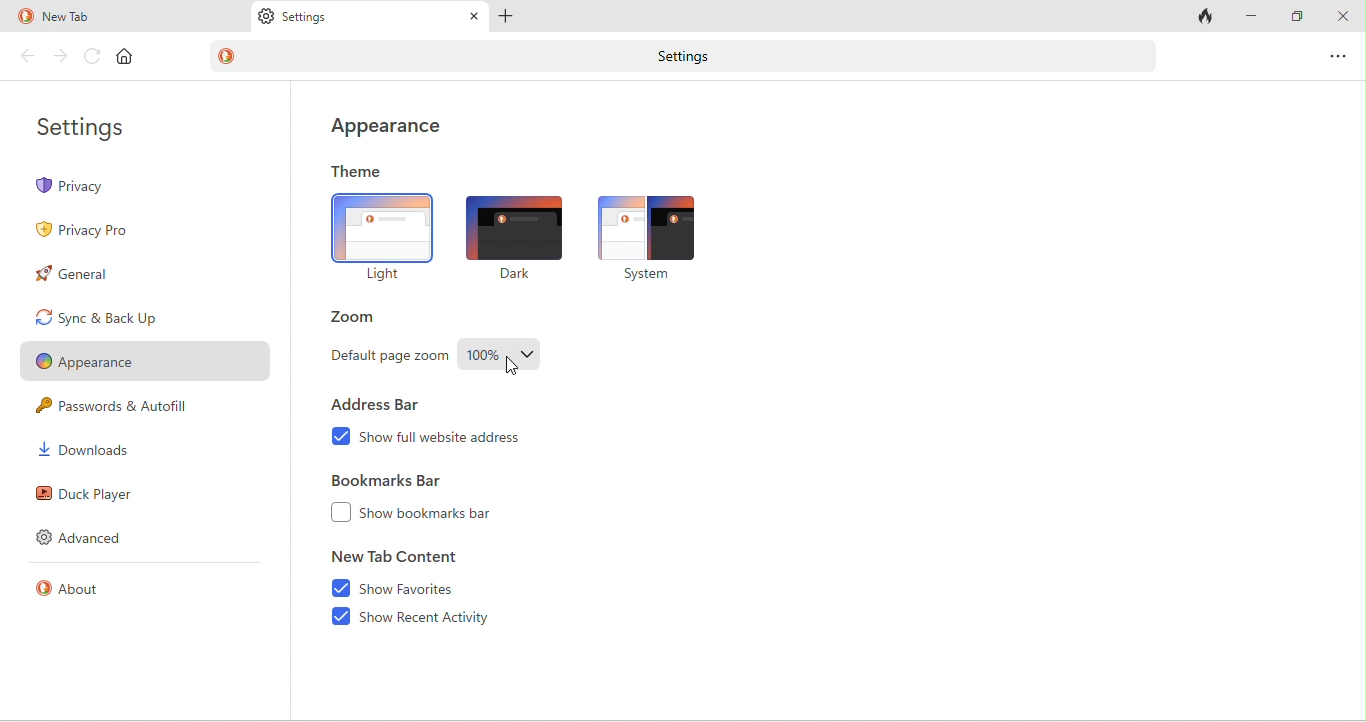  Describe the element at coordinates (513, 226) in the screenshot. I see `dark ` at that location.